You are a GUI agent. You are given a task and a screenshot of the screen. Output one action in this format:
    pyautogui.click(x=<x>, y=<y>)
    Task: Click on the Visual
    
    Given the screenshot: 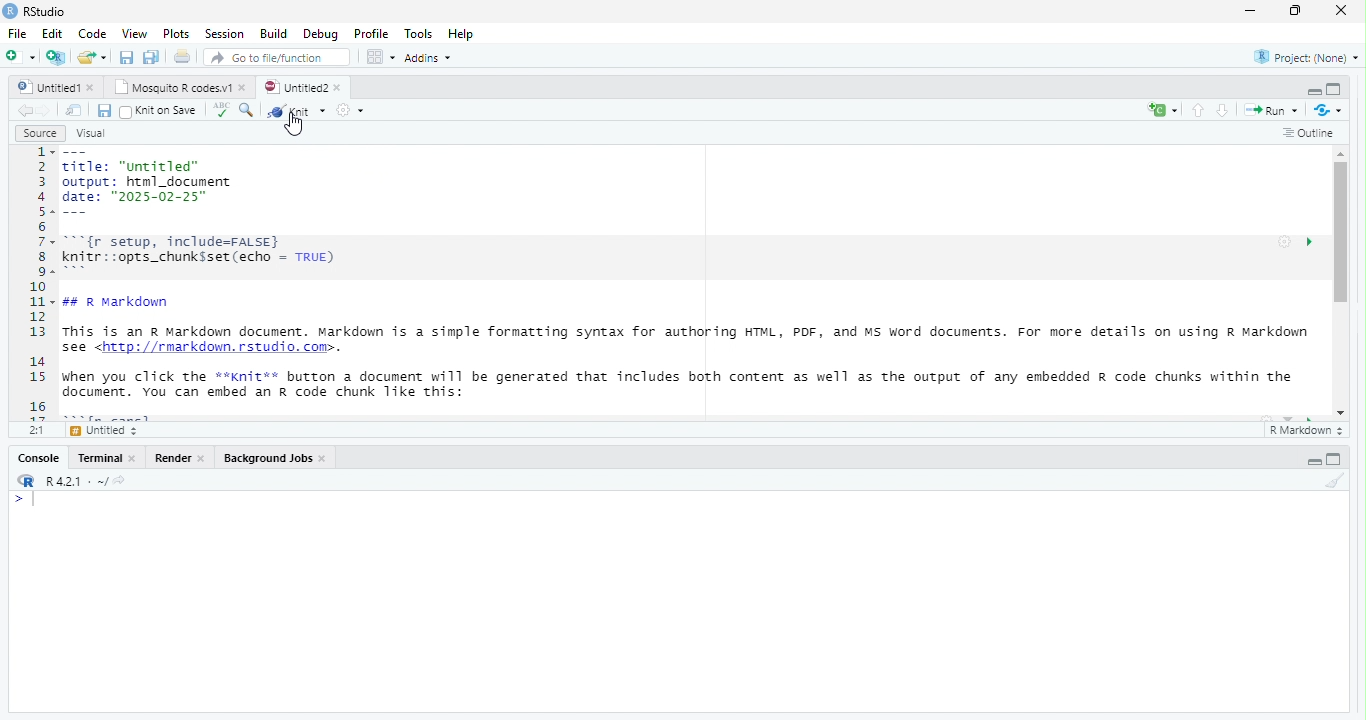 What is the action you would take?
    pyautogui.click(x=92, y=134)
    